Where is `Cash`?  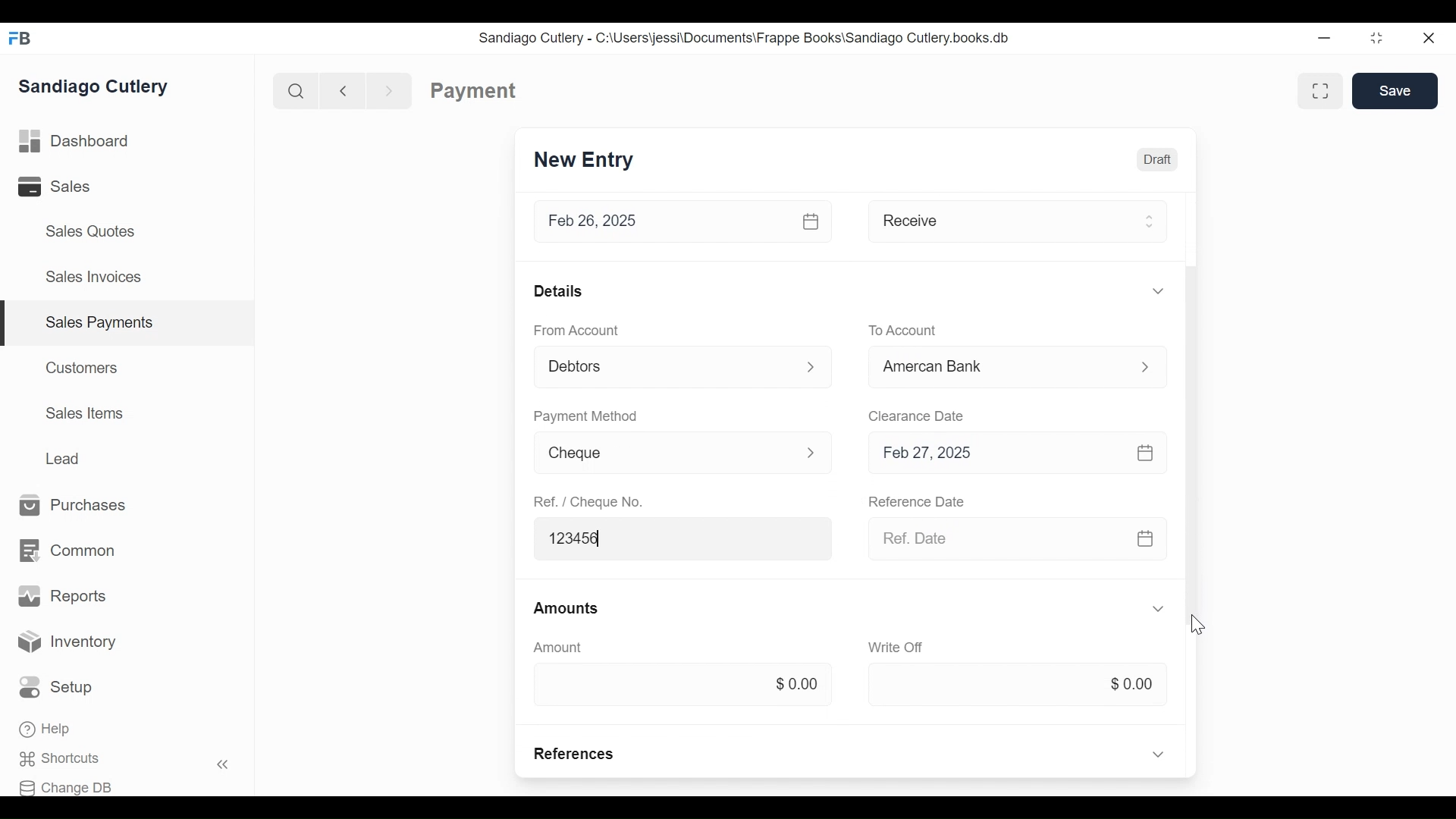
Cash is located at coordinates (995, 366).